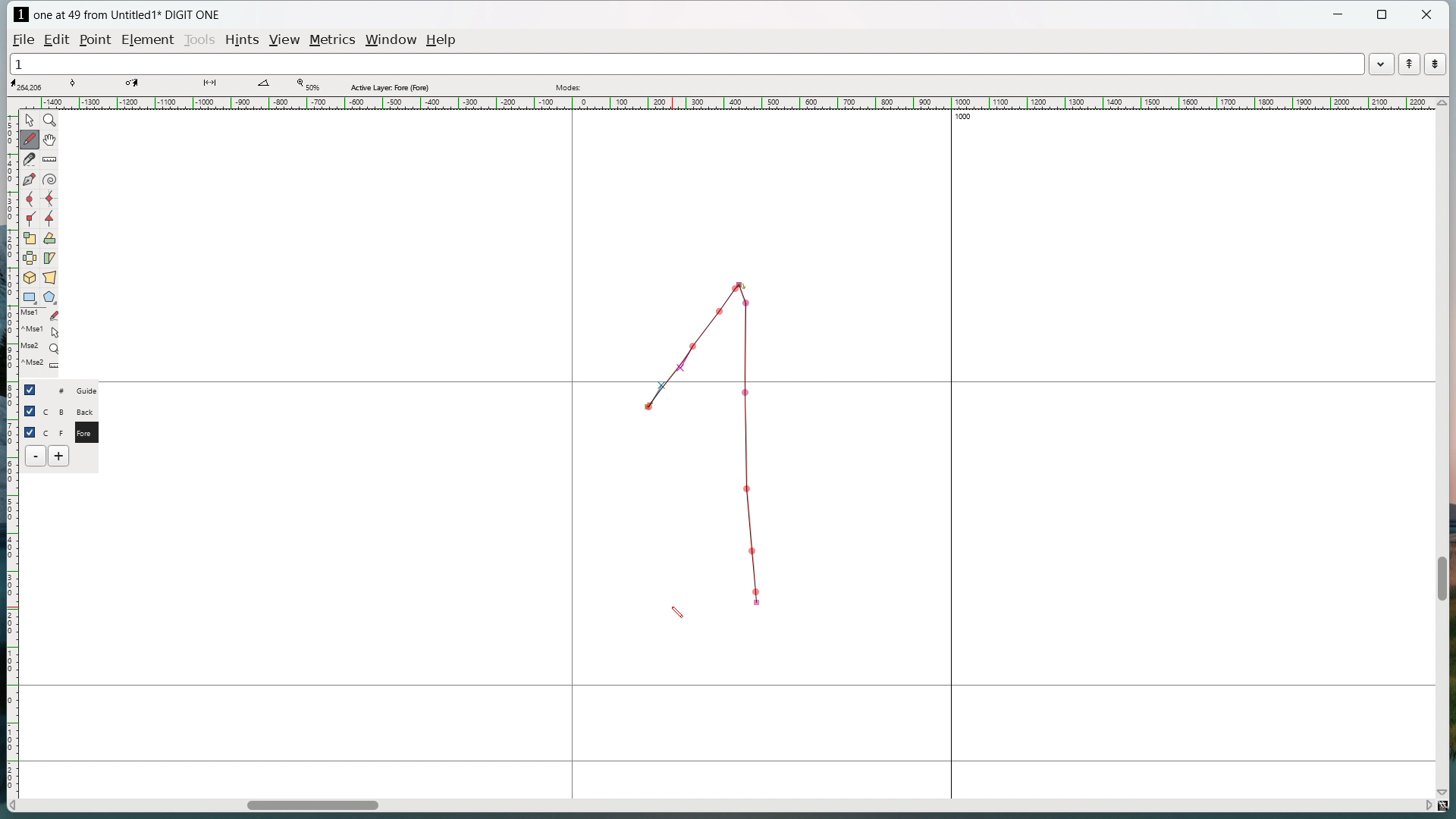 This screenshot has height=819, width=1456. Describe the element at coordinates (30, 297) in the screenshot. I see `rectangle/ellipse` at that location.